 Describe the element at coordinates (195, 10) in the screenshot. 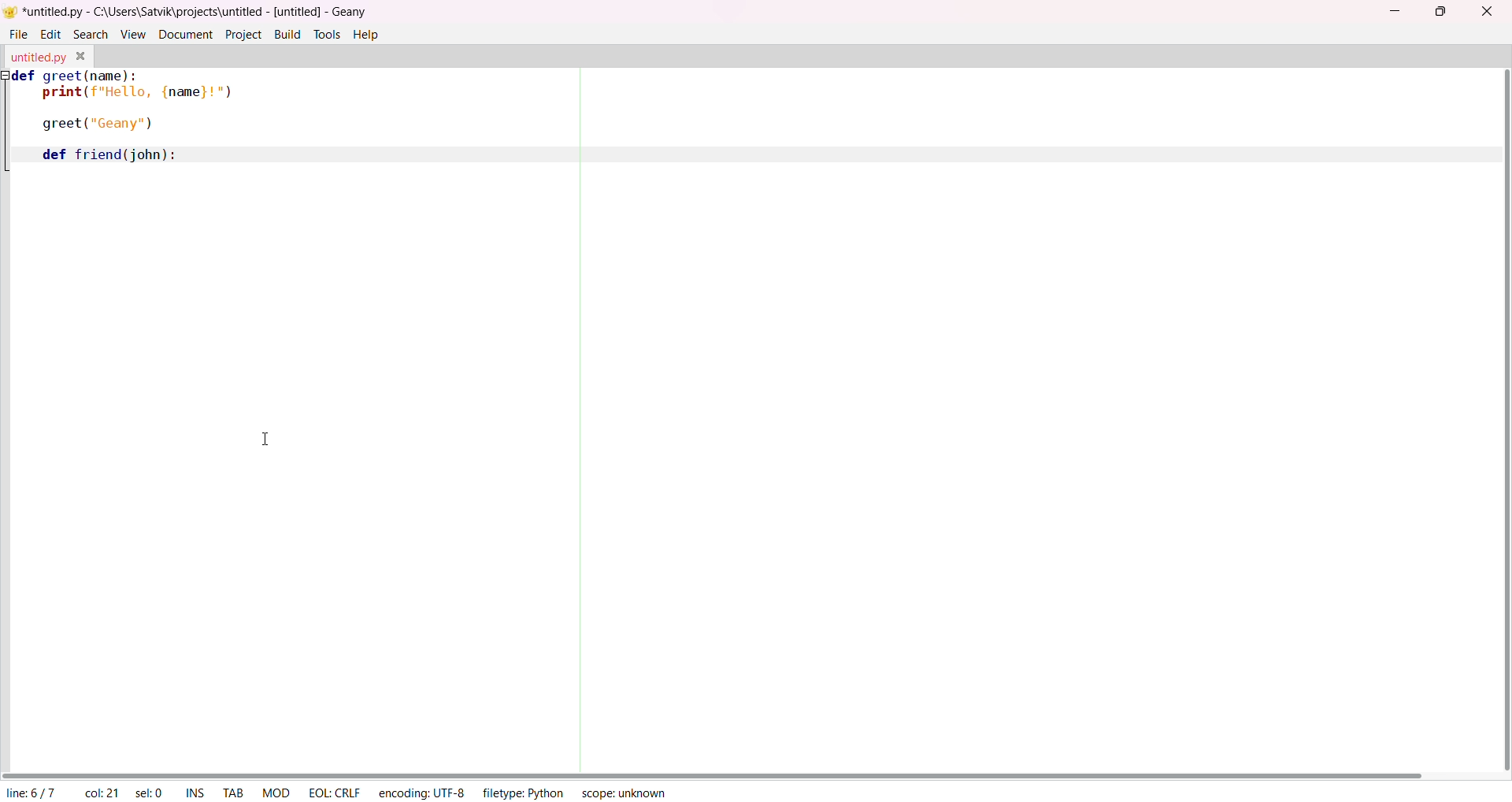

I see `*untitled.py - C:\Users\Satvik\projects\untitled - [untitled] - Geany` at that location.